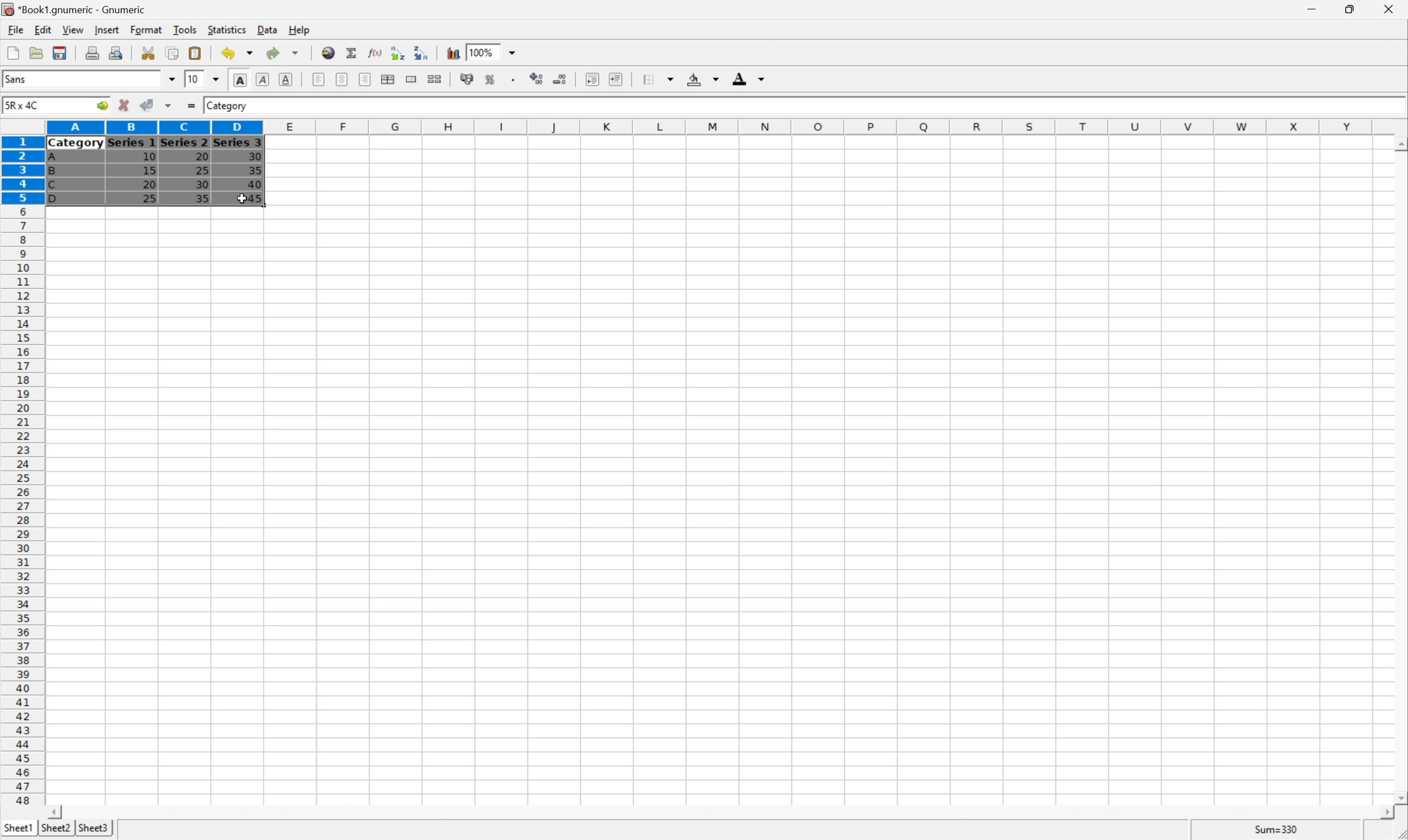 This screenshot has height=840, width=1408. Describe the element at coordinates (117, 53) in the screenshot. I see `Print preview` at that location.